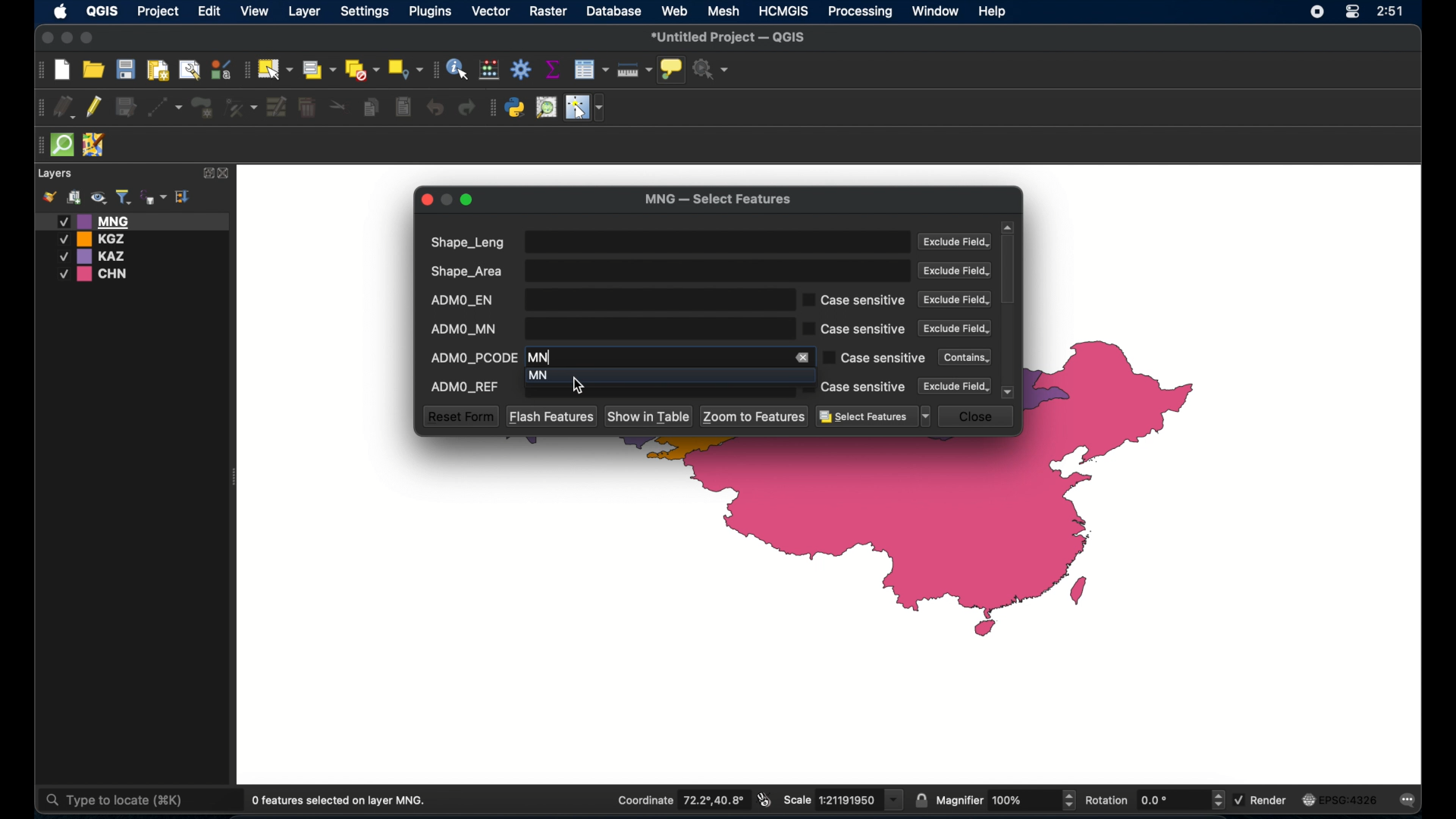 This screenshot has width=1456, height=819. Describe the element at coordinates (96, 275) in the screenshot. I see `CHN` at that location.